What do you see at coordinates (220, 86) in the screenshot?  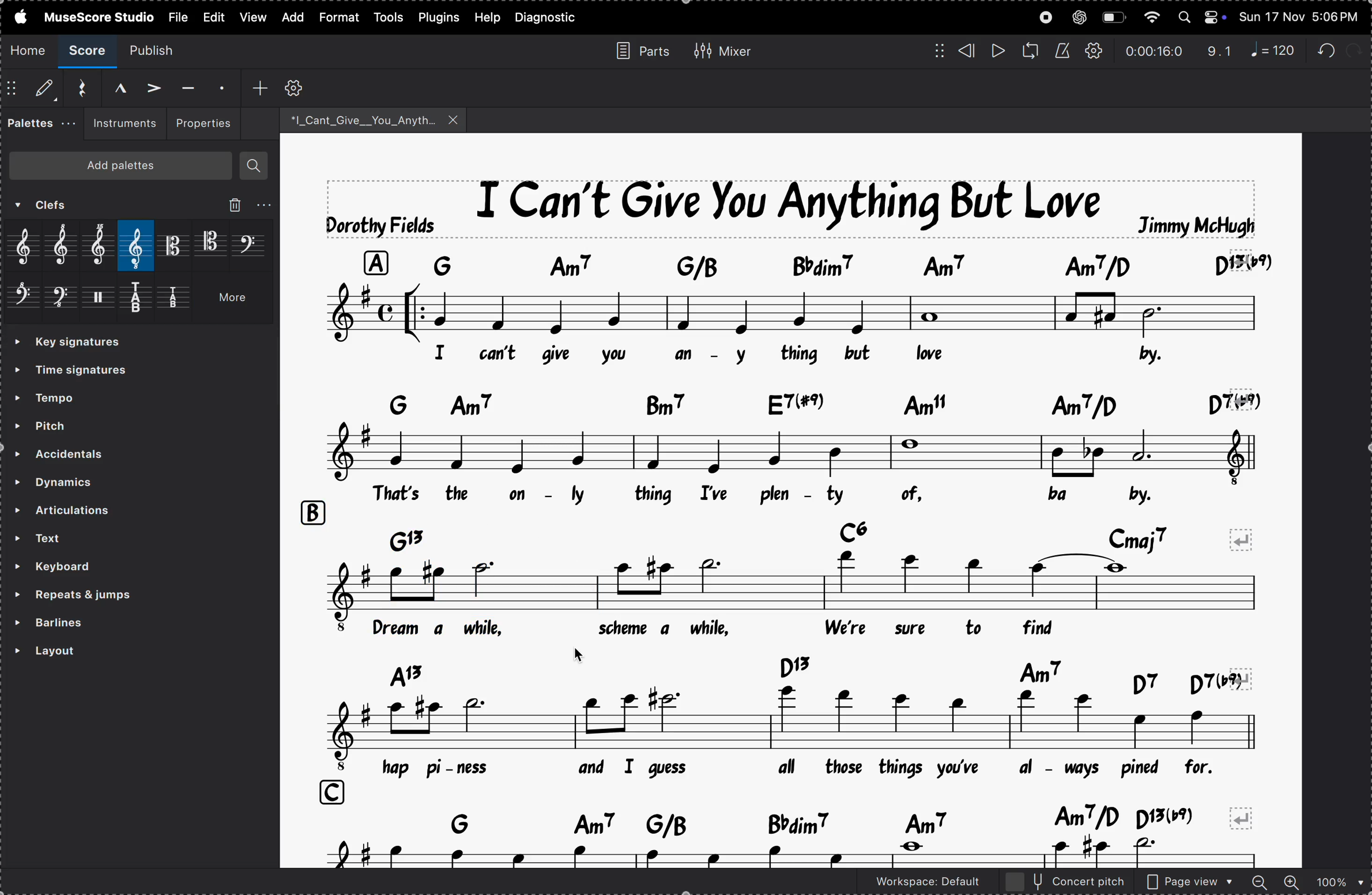 I see `staccato ` at bounding box center [220, 86].